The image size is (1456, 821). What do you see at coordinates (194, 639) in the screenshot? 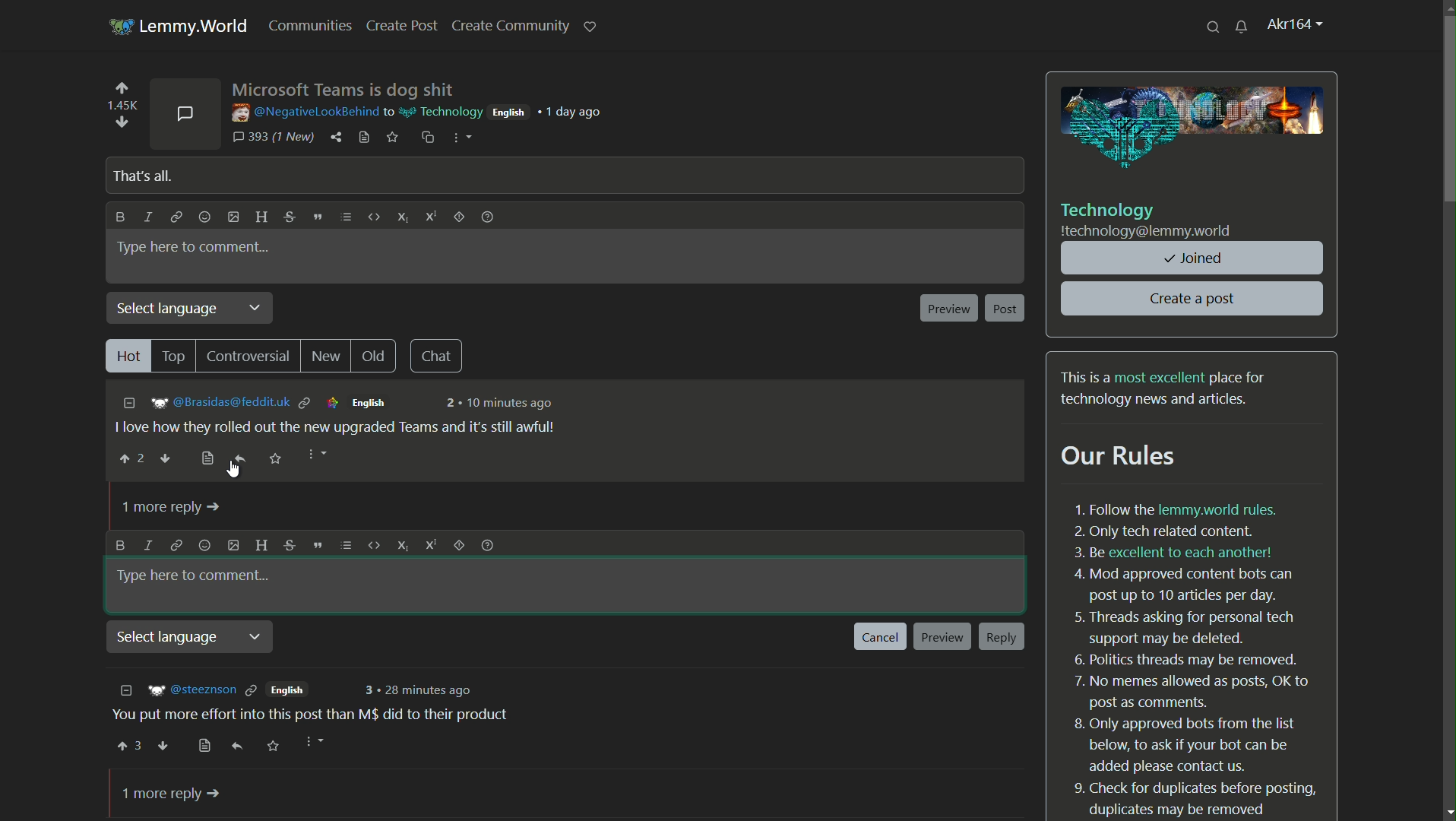
I see `select language dropdown` at bounding box center [194, 639].